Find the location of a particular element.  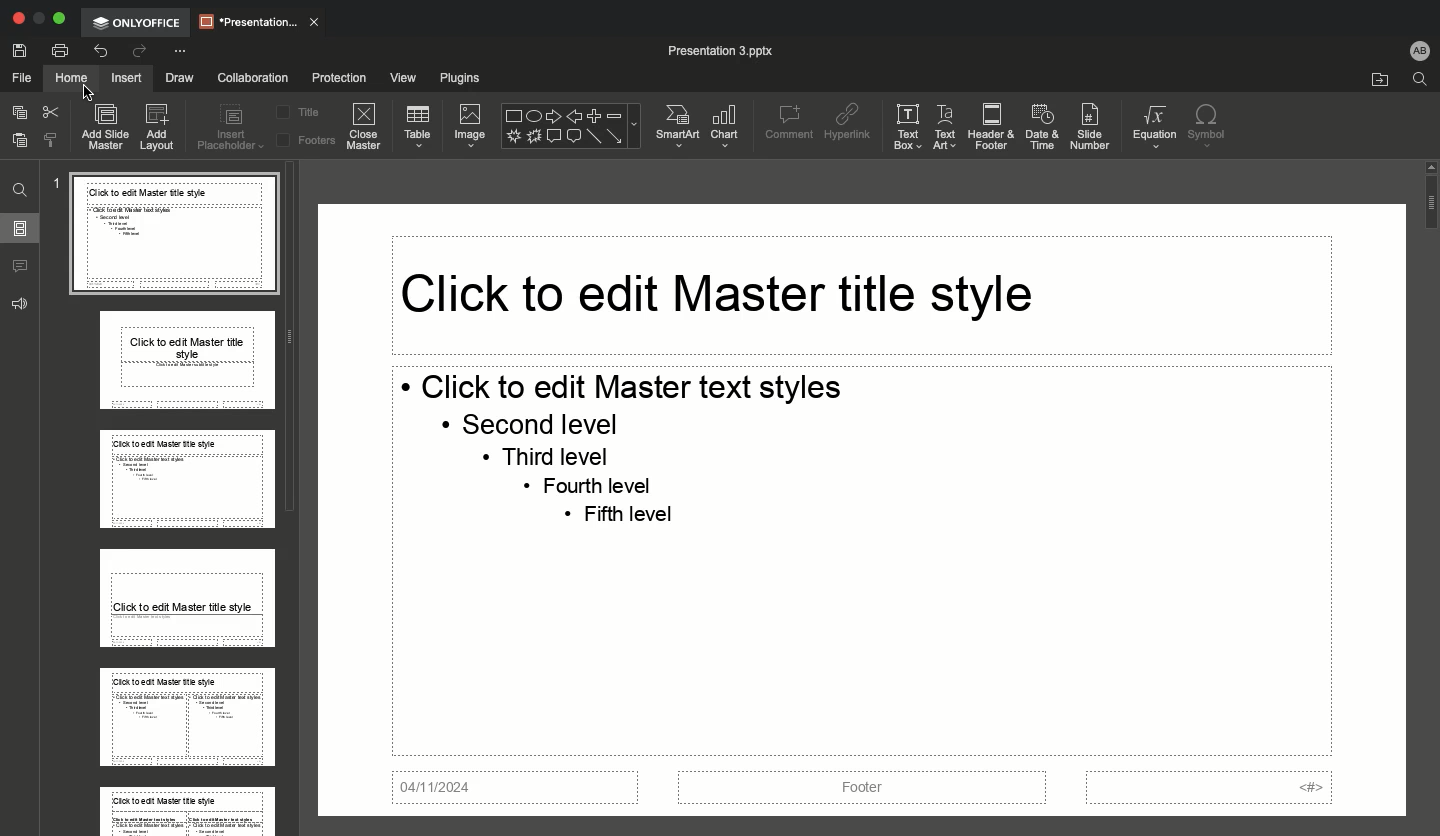

Close master is located at coordinates (362, 126).